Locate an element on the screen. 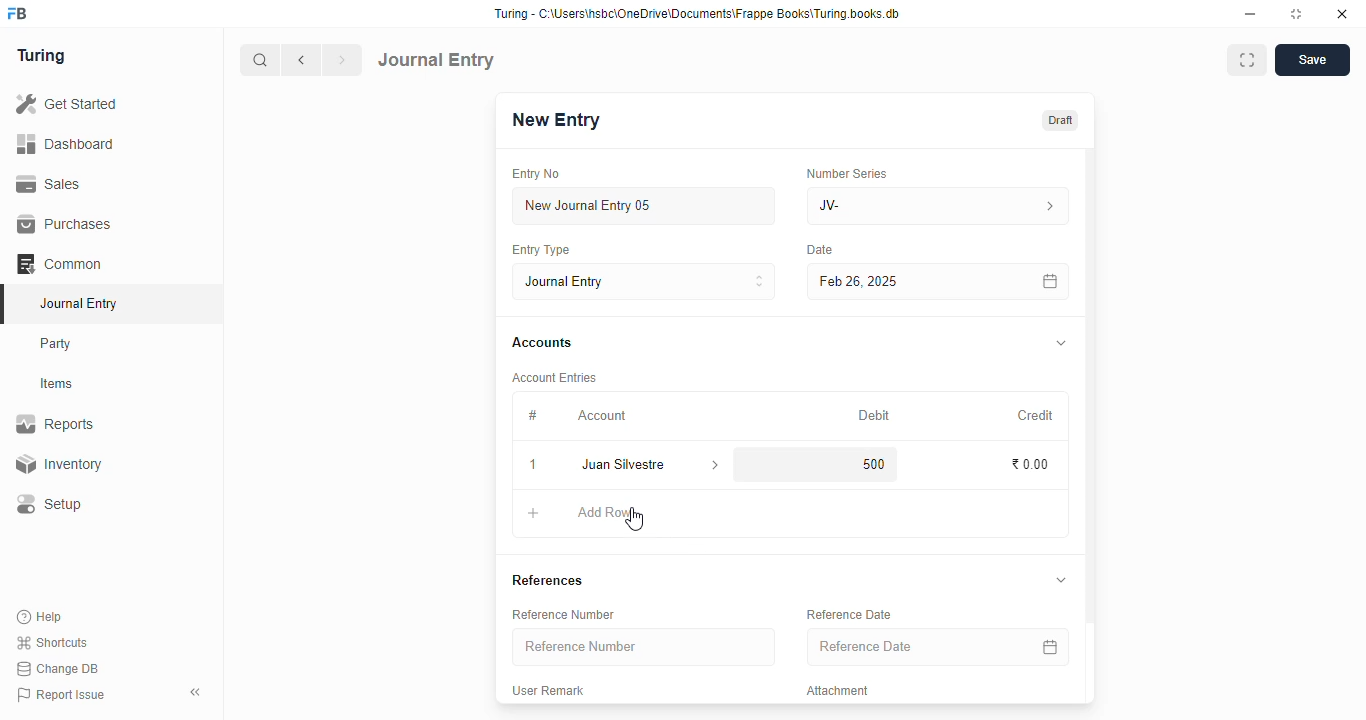 The width and height of the screenshot is (1366, 720). search is located at coordinates (261, 60).